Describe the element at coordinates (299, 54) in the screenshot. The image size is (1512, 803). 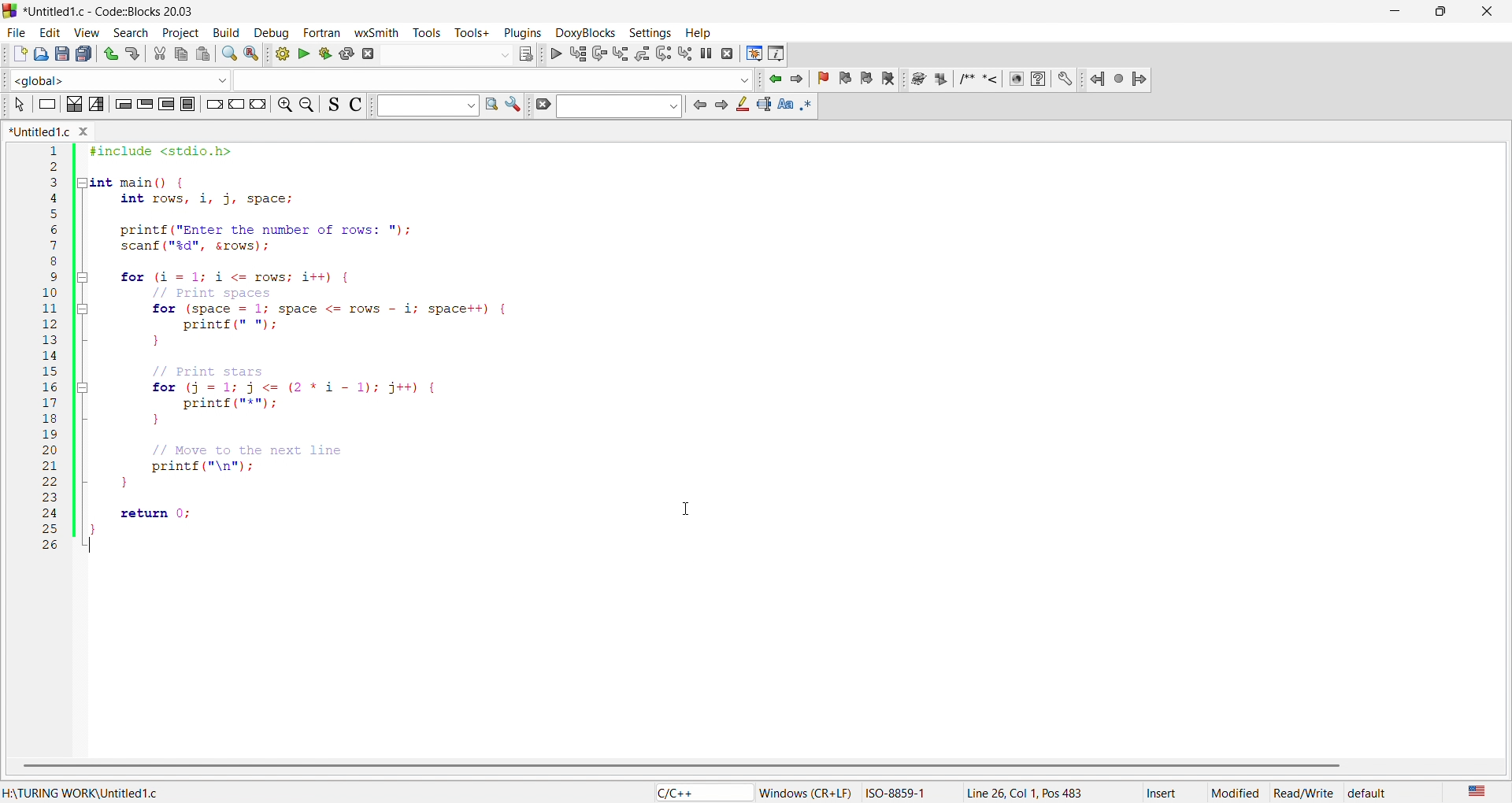
I see `run` at that location.